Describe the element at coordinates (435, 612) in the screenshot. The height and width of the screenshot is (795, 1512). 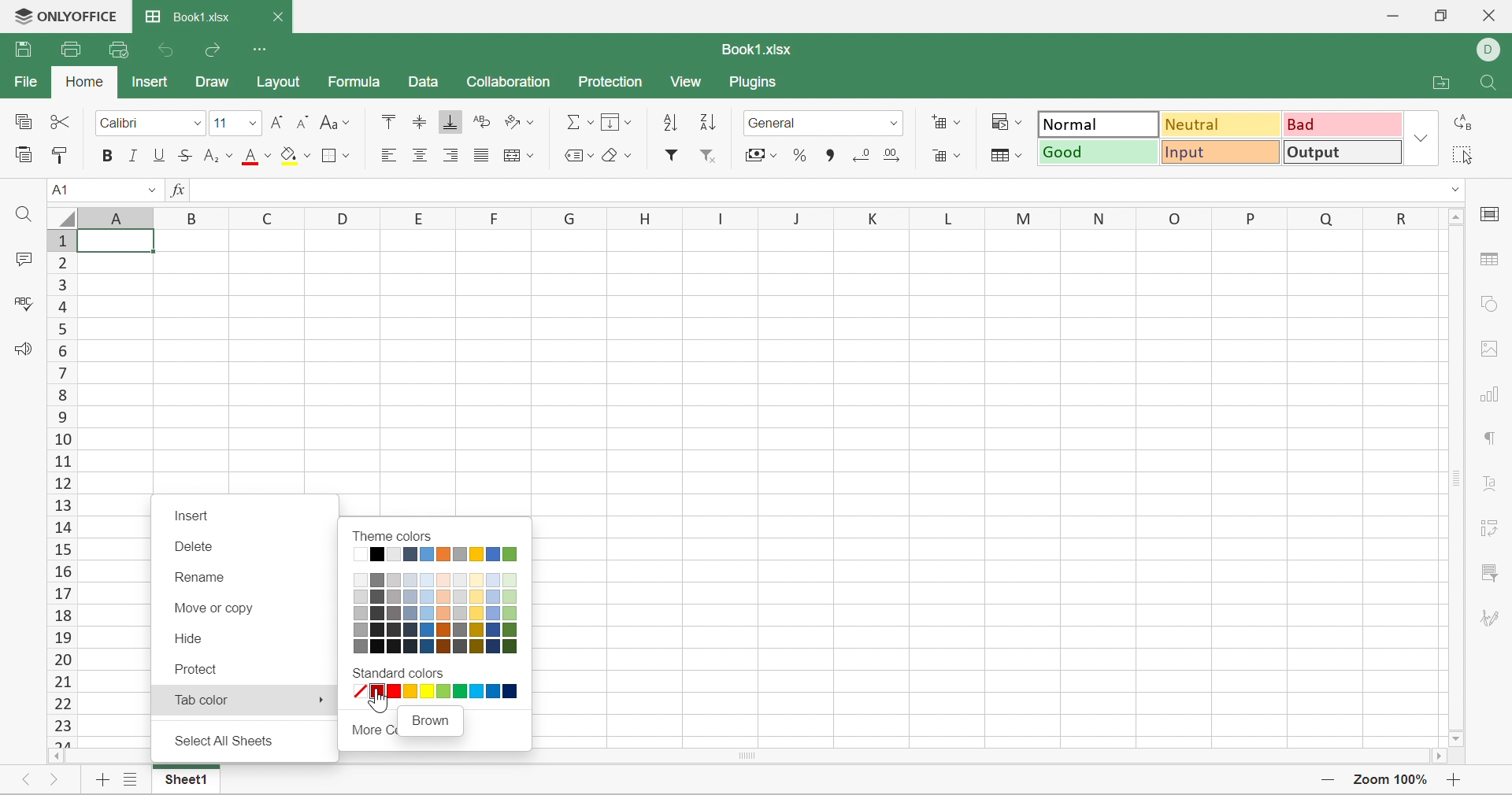
I see `Theme color shades` at that location.